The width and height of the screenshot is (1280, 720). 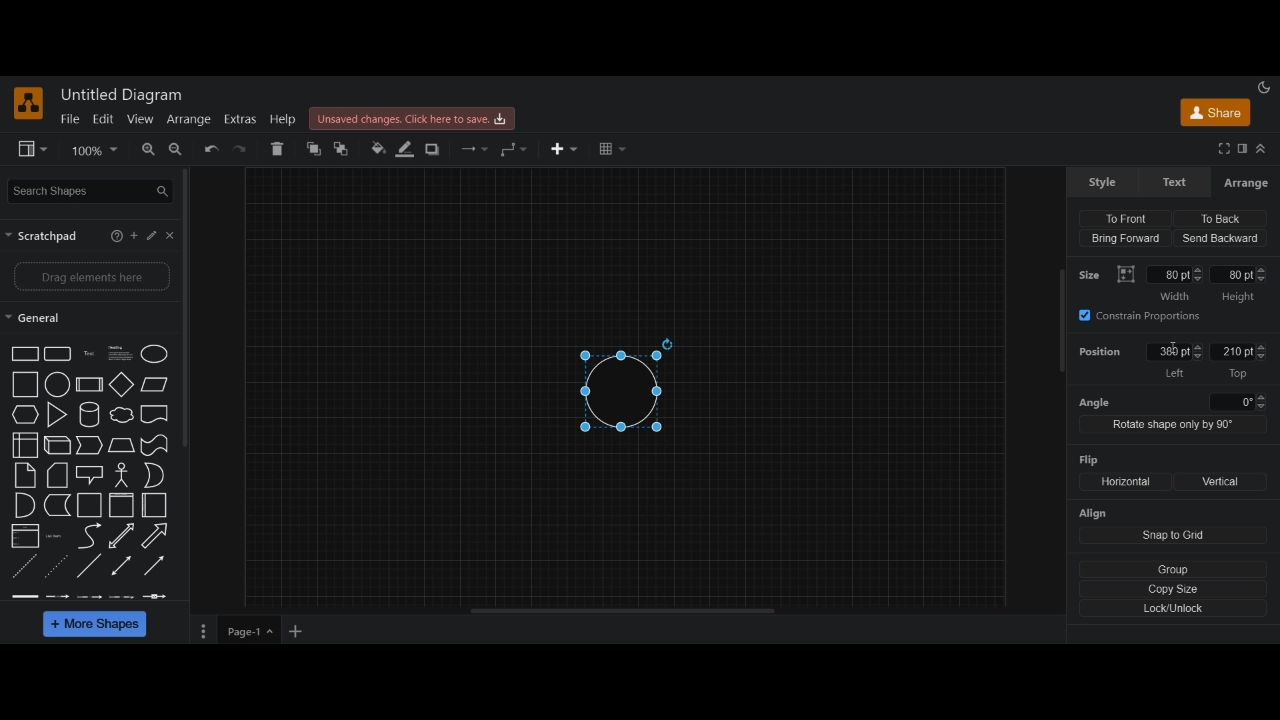 I want to click on add, so click(x=136, y=236).